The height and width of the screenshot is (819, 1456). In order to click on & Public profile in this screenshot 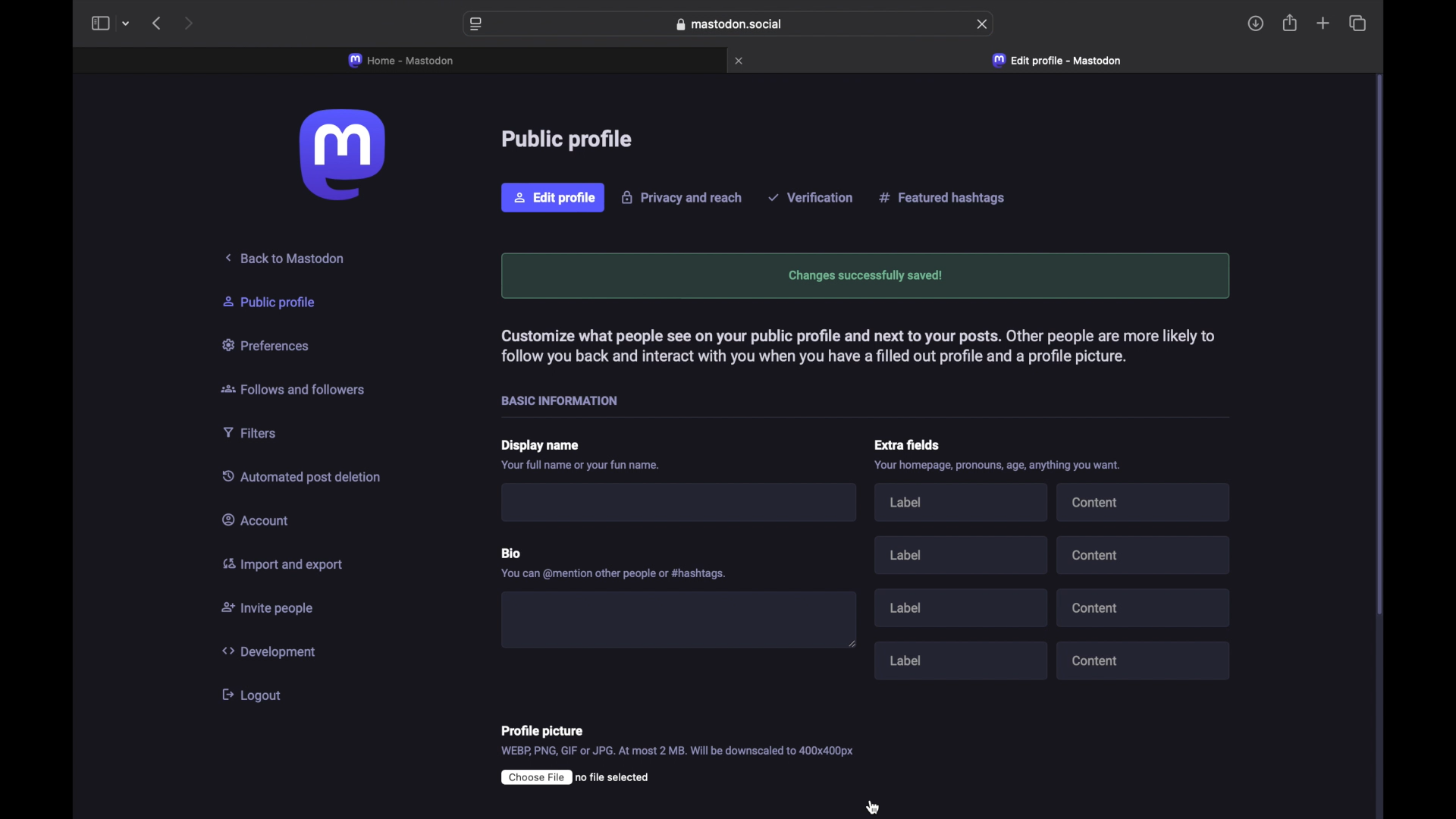, I will do `click(268, 301)`.